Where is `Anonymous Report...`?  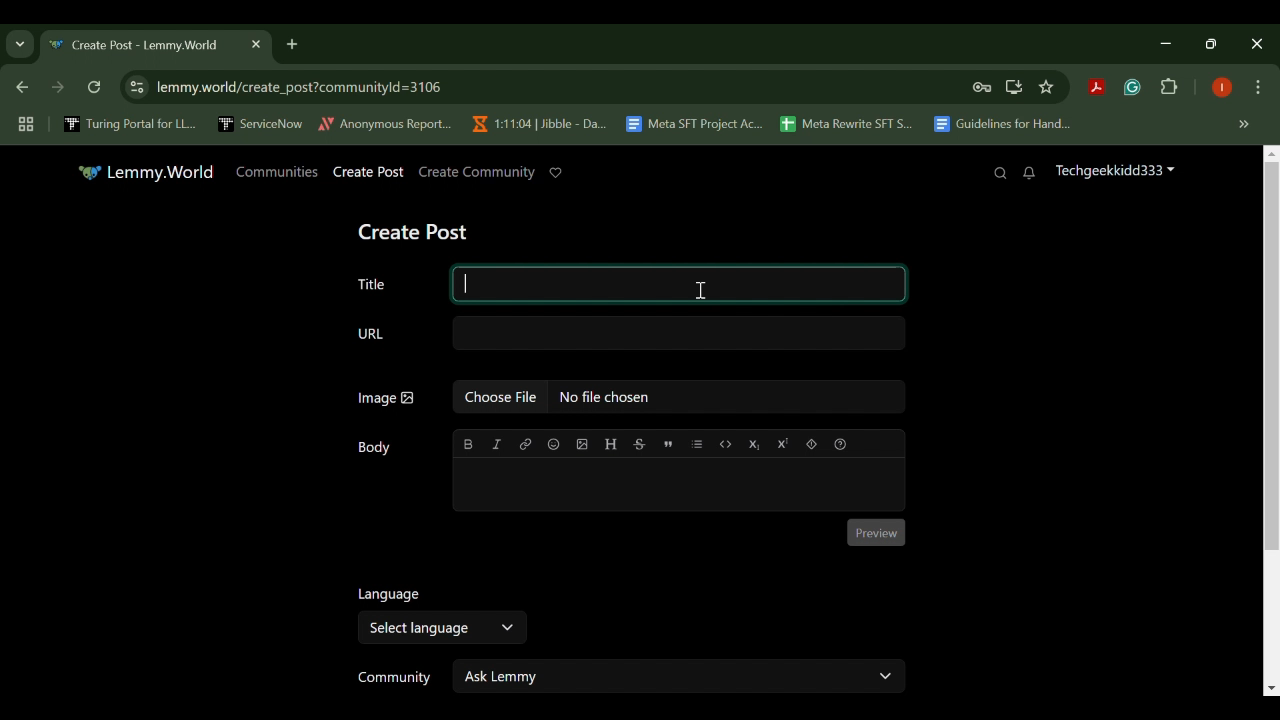 Anonymous Report... is located at coordinates (386, 123).